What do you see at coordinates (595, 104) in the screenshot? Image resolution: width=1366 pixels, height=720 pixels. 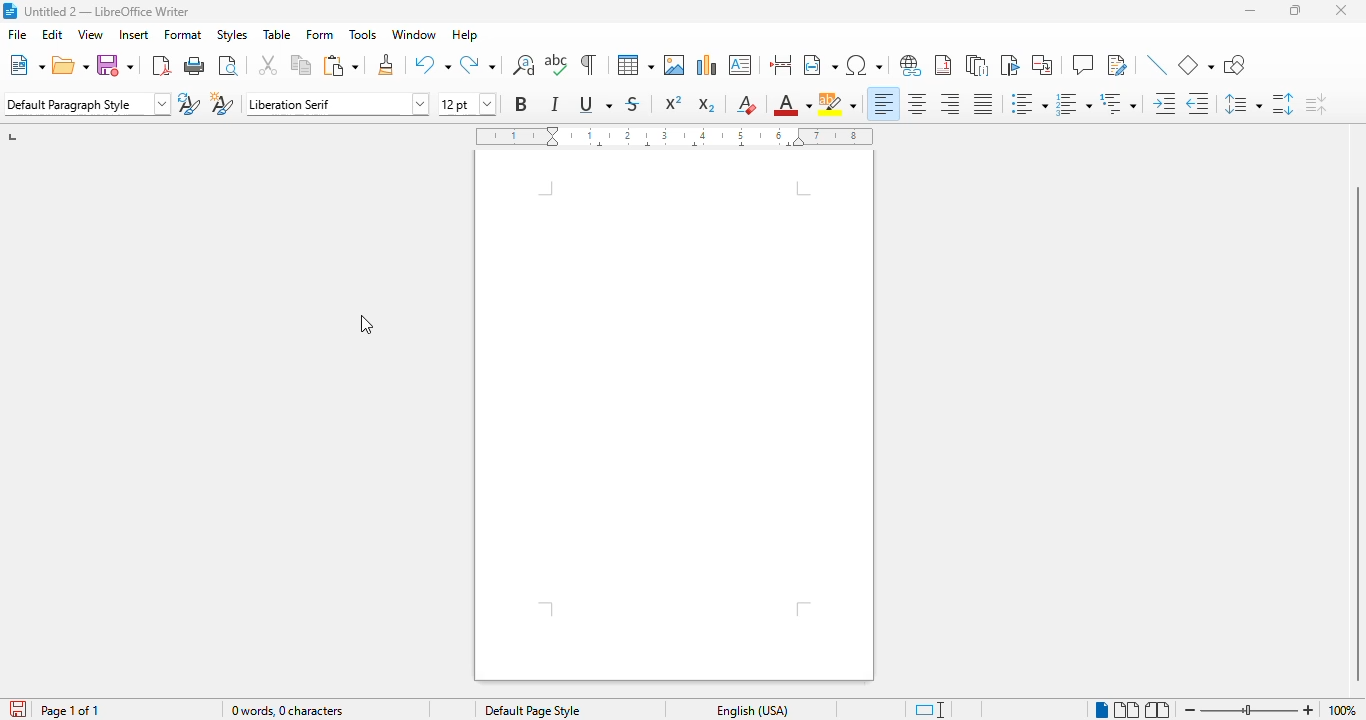 I see `underline` at bounding box center [595, 104].